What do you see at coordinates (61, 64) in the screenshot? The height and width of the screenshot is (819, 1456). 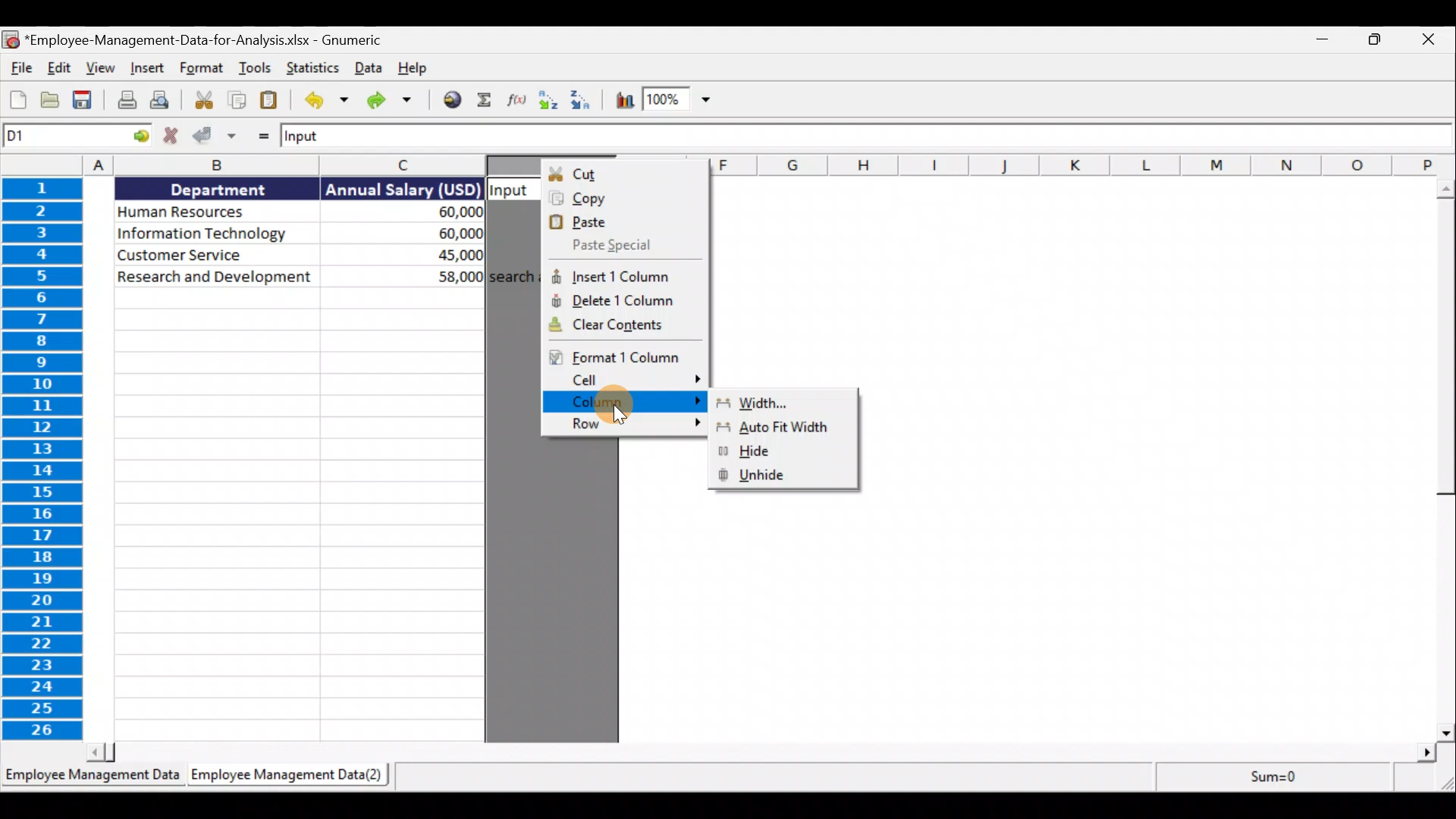 I see `Edit` at bounding box center [61, 64].